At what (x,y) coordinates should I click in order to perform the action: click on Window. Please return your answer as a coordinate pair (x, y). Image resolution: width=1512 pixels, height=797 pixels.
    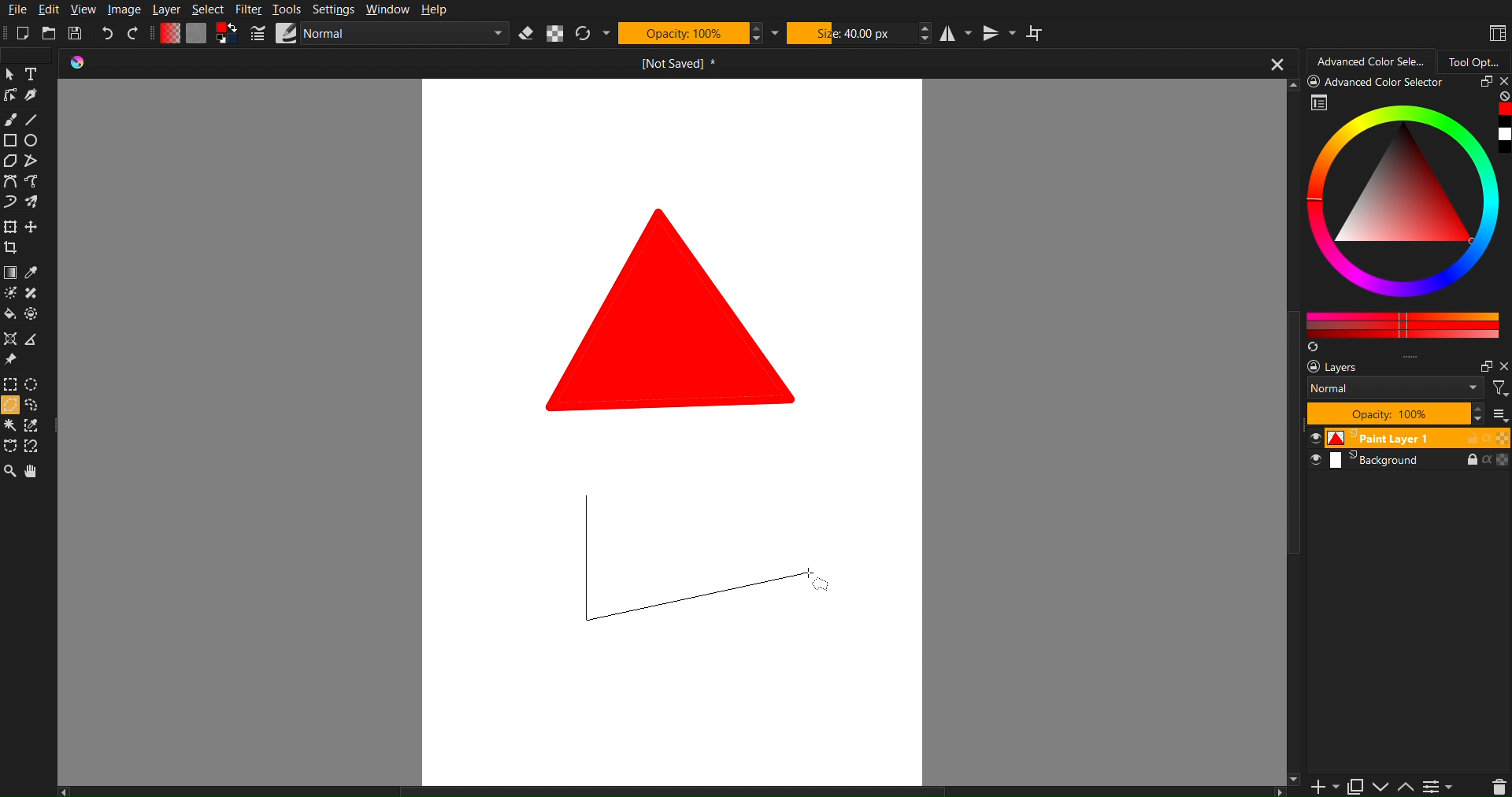
    Looking at the image, I should click on (385, 9).